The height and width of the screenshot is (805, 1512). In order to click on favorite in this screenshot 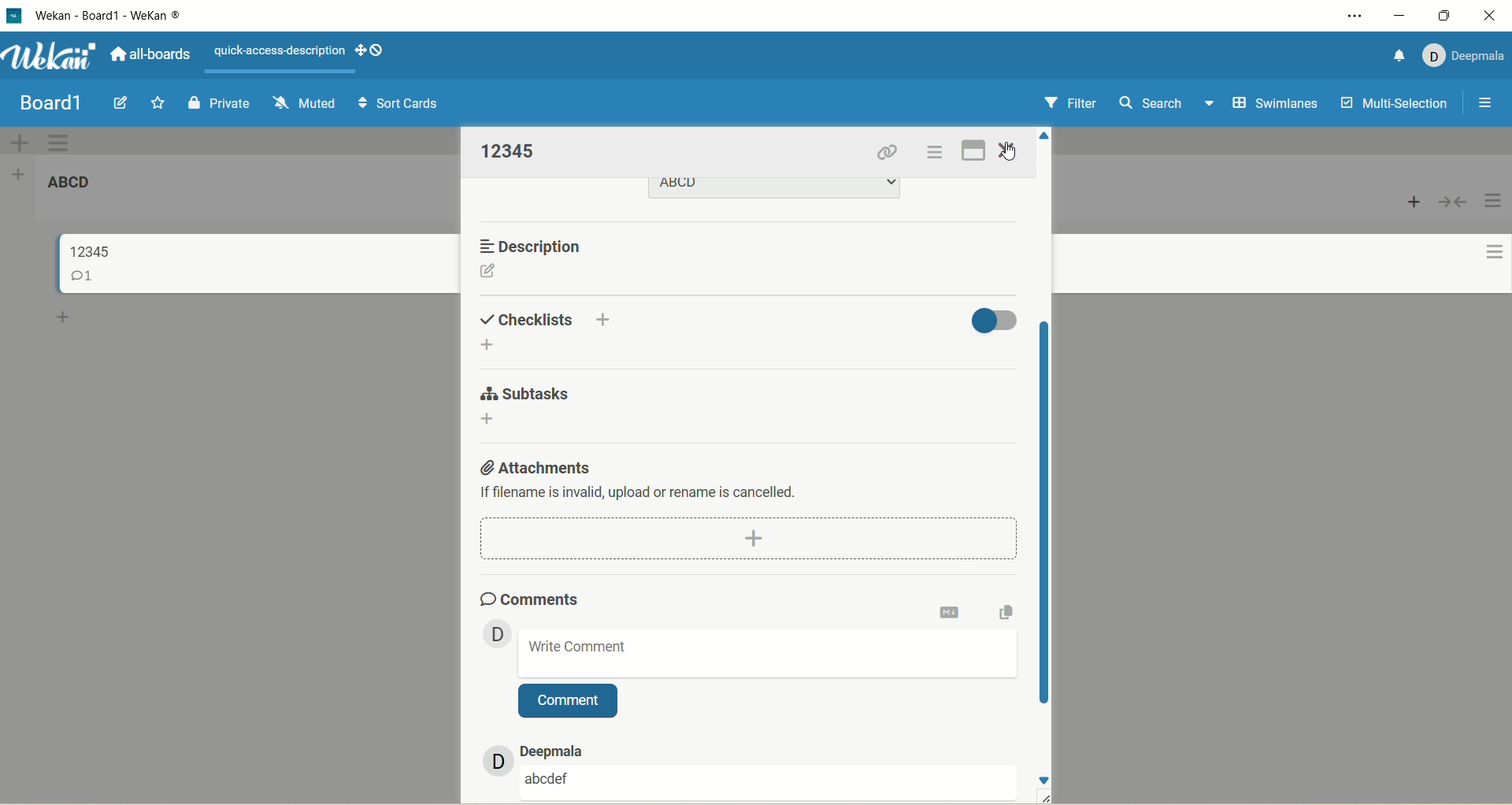, I will do `click(154, 106)`.